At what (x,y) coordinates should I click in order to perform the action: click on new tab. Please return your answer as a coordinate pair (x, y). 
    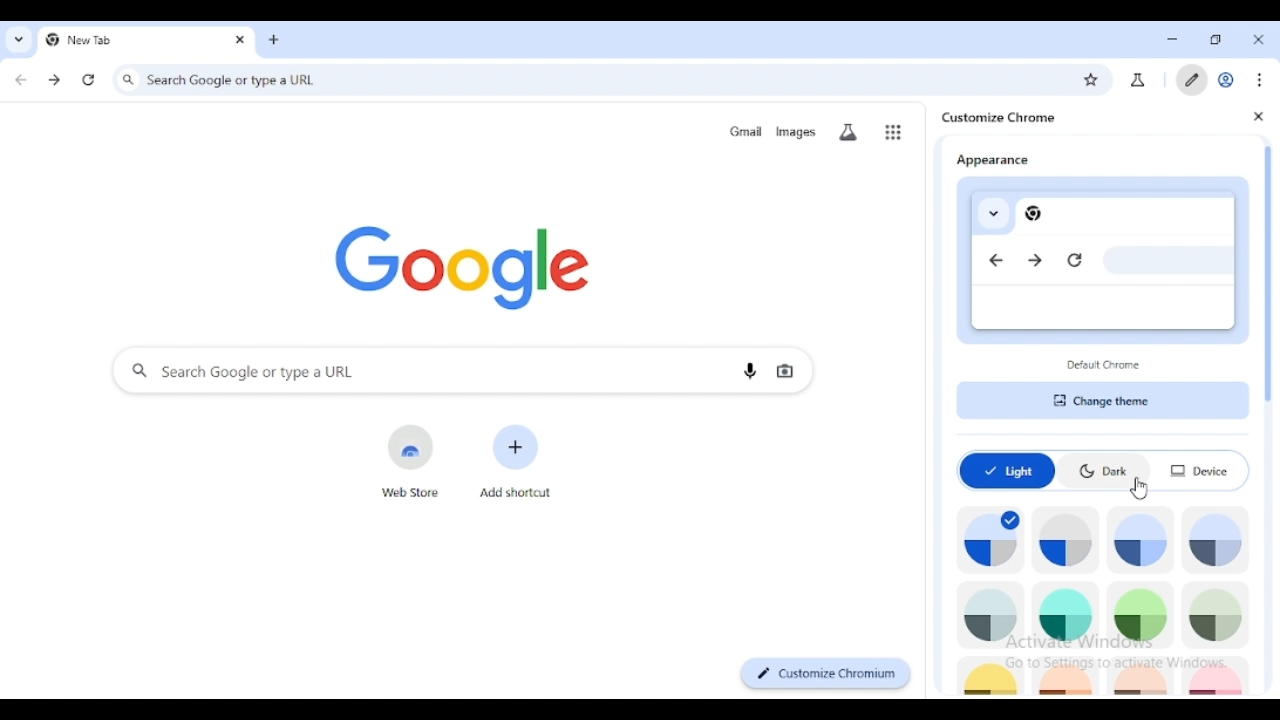
    Looking at the image, I should click on (118, 39).